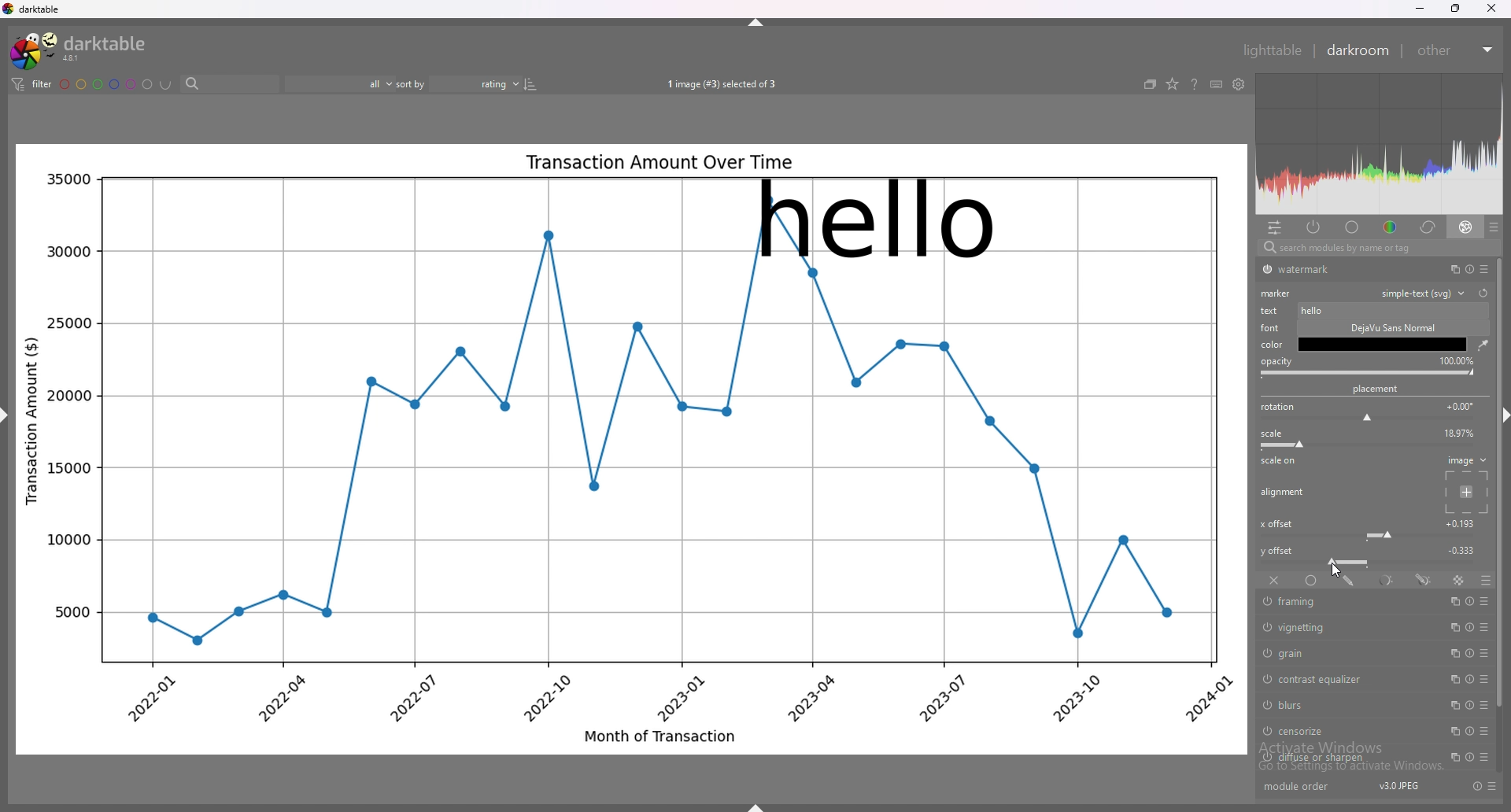  I want to click on reset, so click(1470, 731).